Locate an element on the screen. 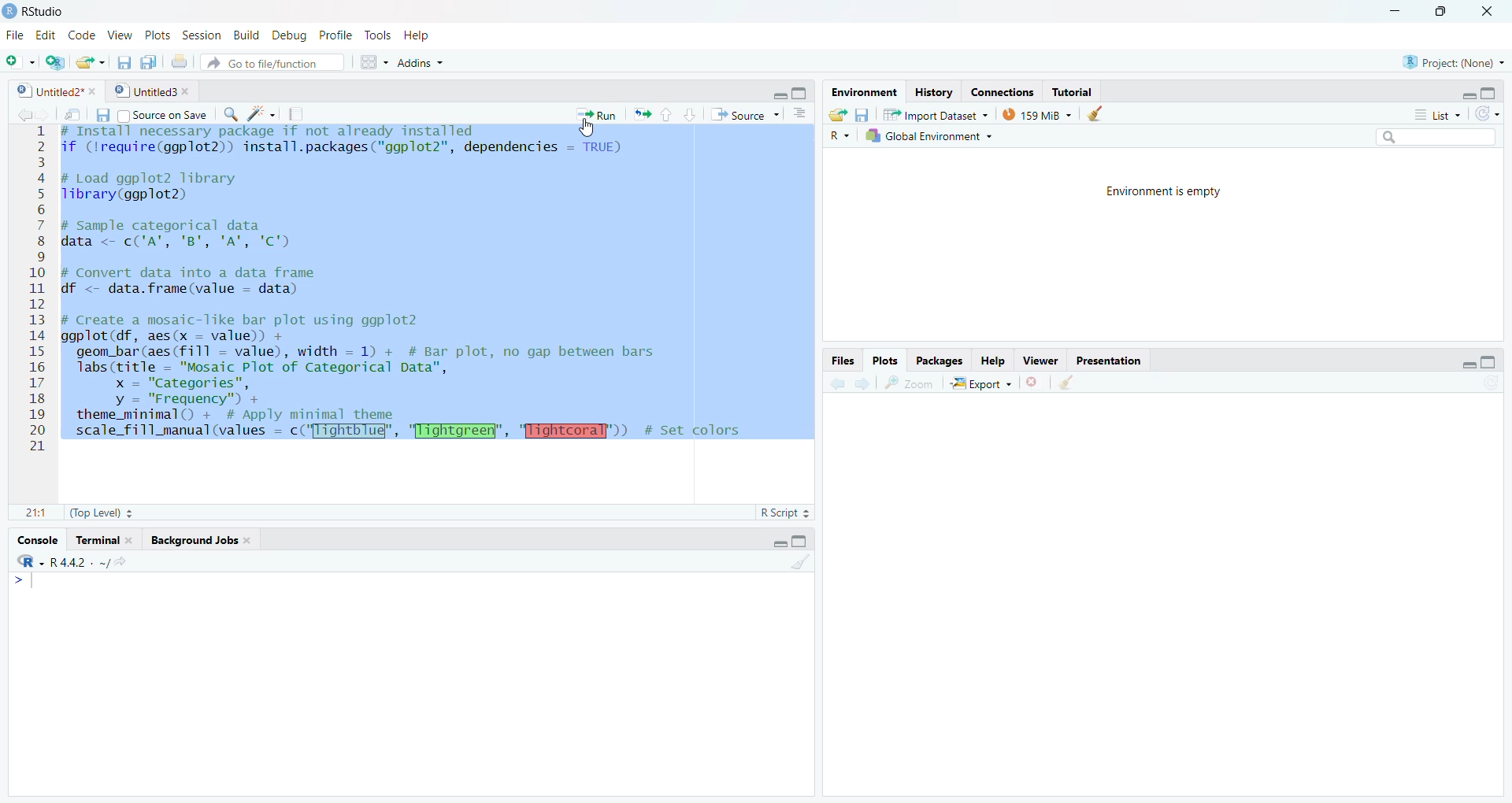  Minimize is located at coordinates (778, 542).